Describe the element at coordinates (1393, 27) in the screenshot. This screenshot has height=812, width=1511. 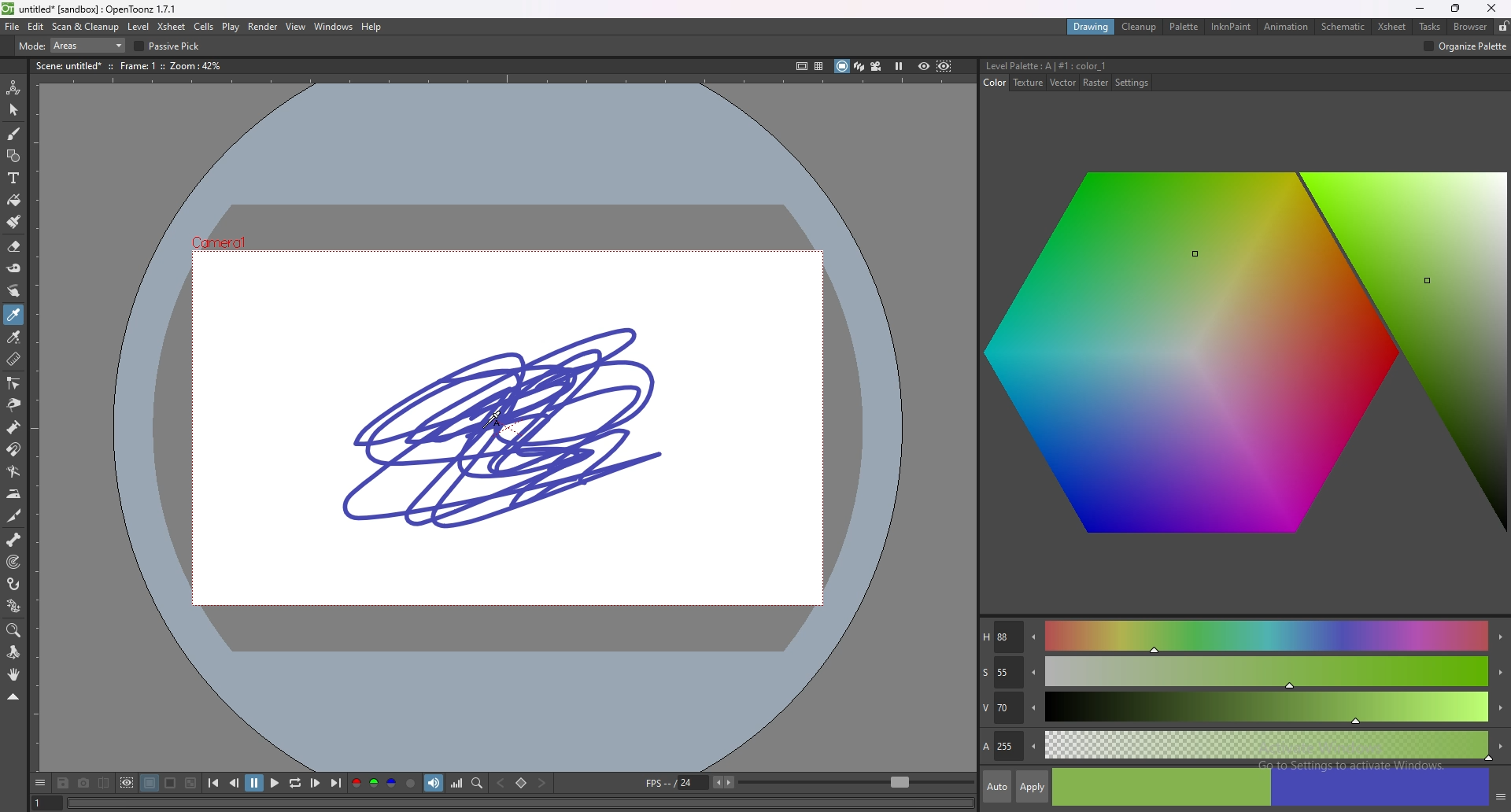
I see `xsheet` at that location.